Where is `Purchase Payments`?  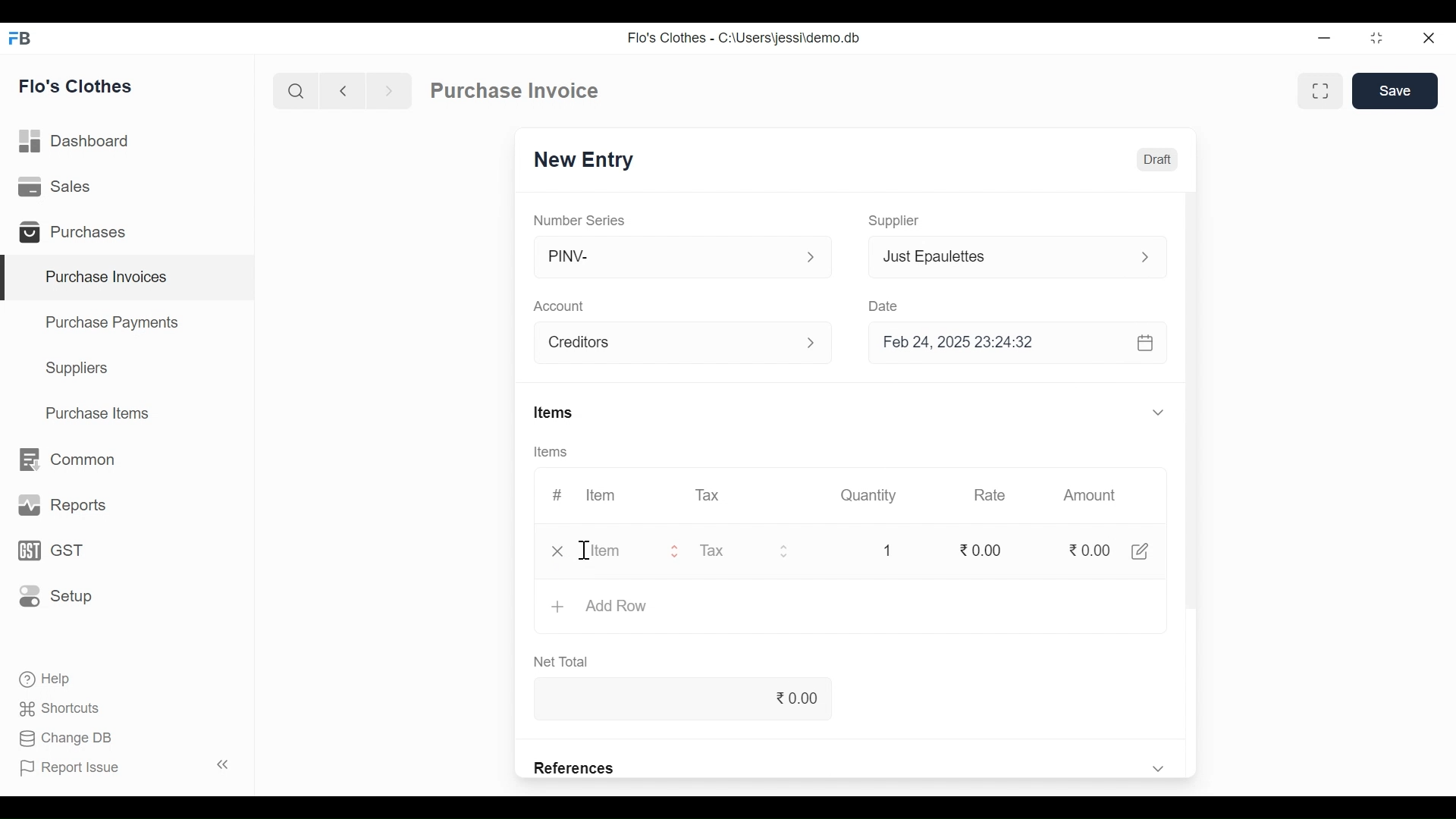 Purchase Payments is located at coordinates (111, 322).